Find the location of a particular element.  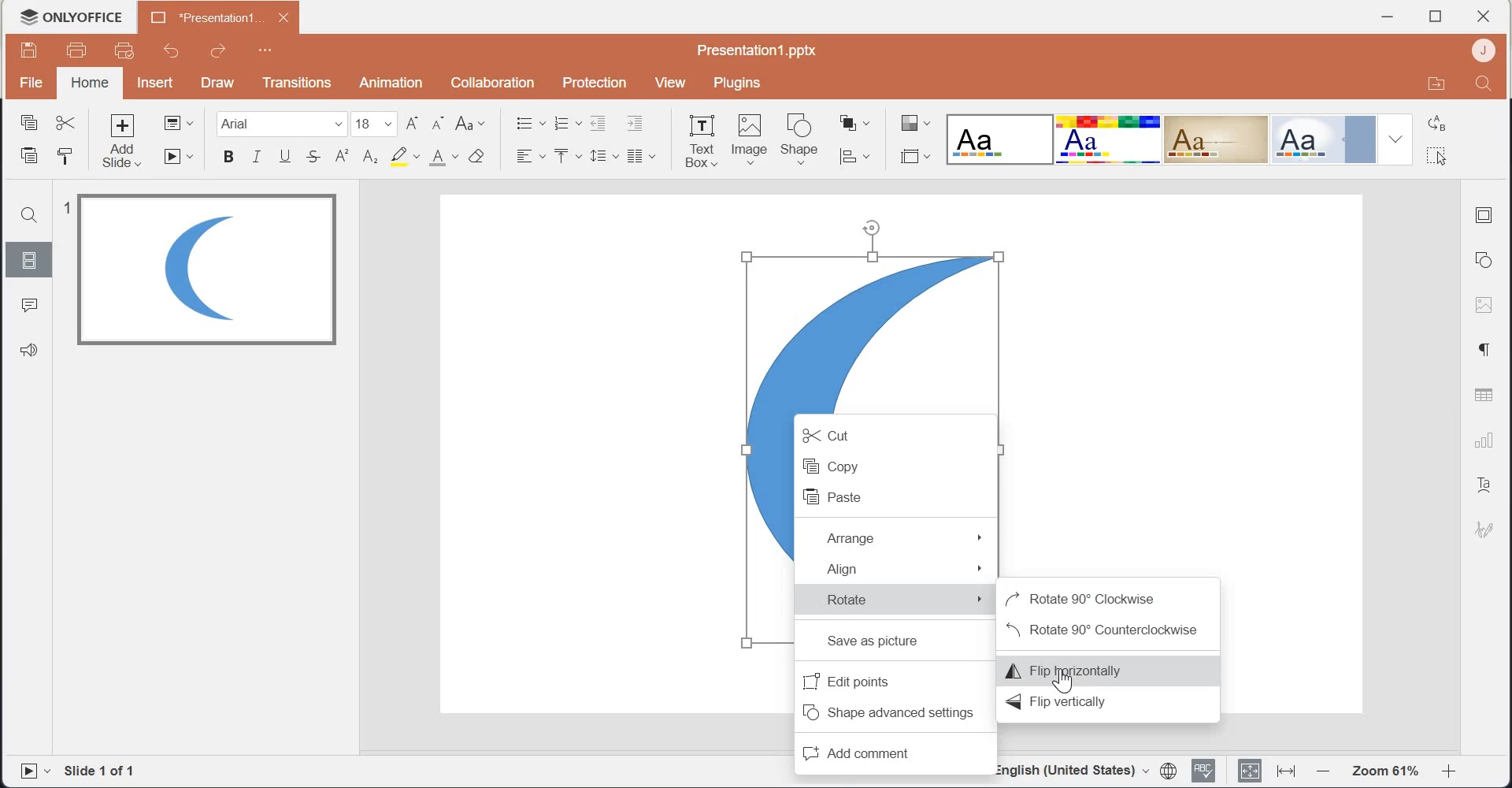

Cursor is located at coordinates (1066, 686).